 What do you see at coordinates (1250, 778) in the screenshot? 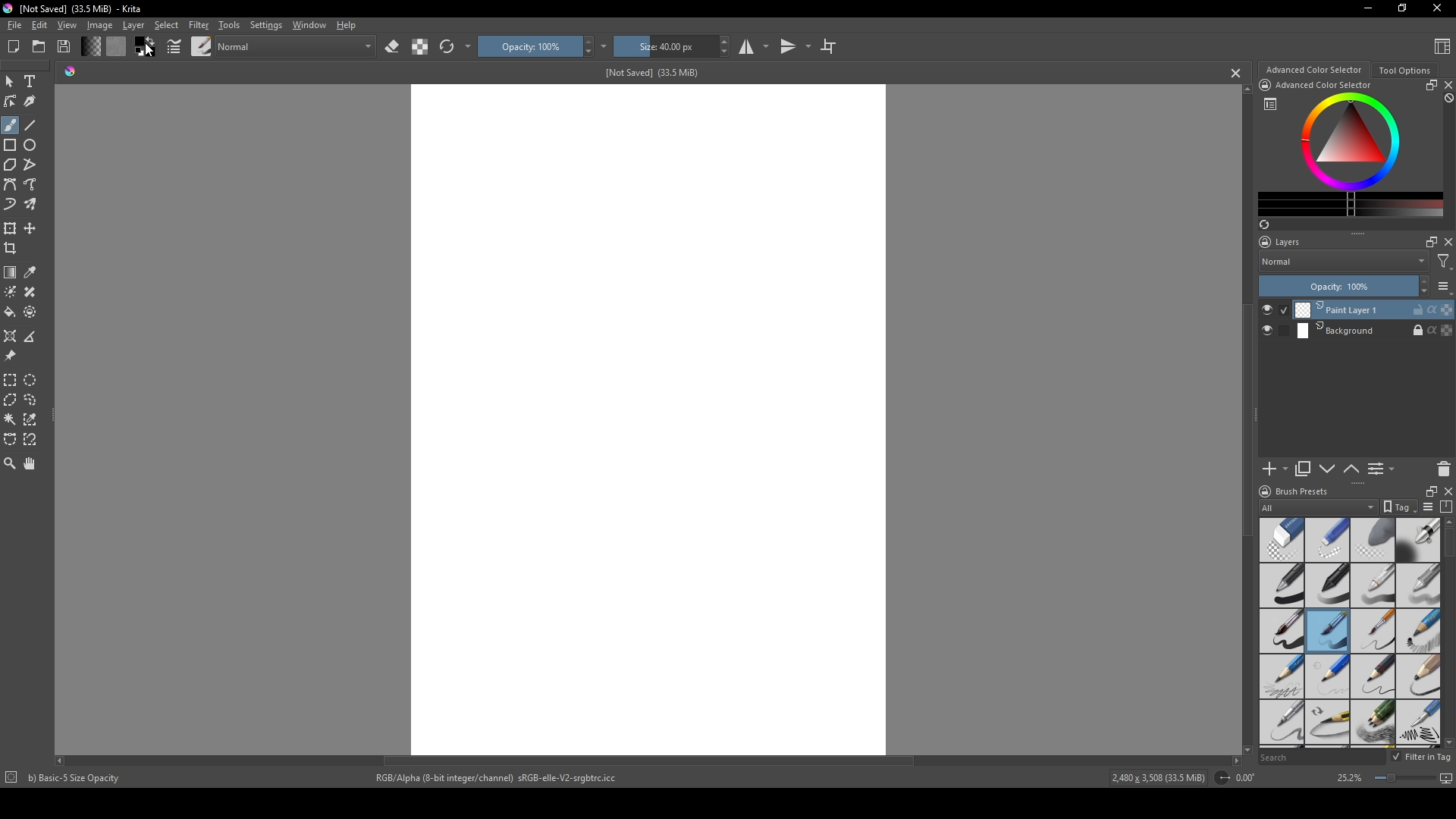
I see `0.00` at bounding box center [1250, 778].